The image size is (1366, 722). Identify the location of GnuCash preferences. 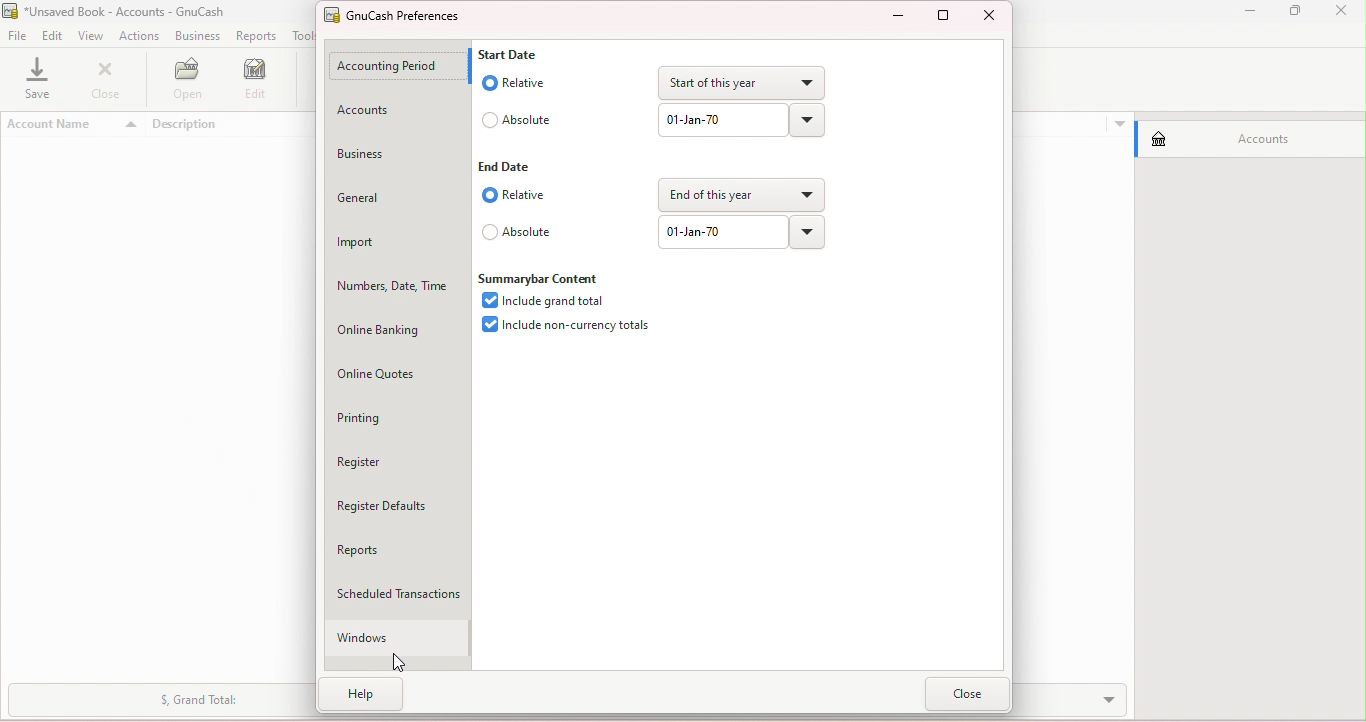
(404, 17).